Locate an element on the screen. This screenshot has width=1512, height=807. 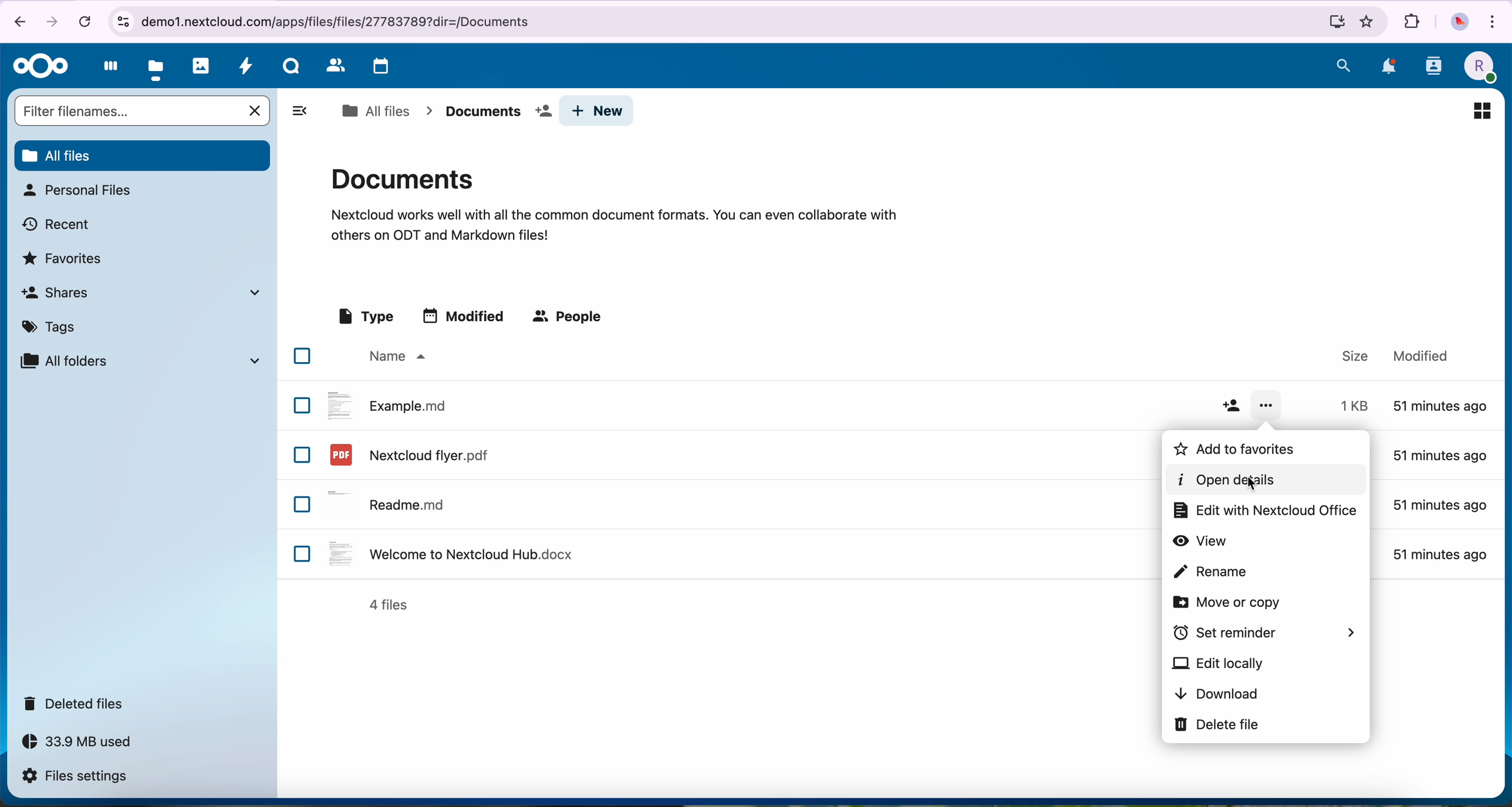
favorites is located at coordinates (1368, 22).